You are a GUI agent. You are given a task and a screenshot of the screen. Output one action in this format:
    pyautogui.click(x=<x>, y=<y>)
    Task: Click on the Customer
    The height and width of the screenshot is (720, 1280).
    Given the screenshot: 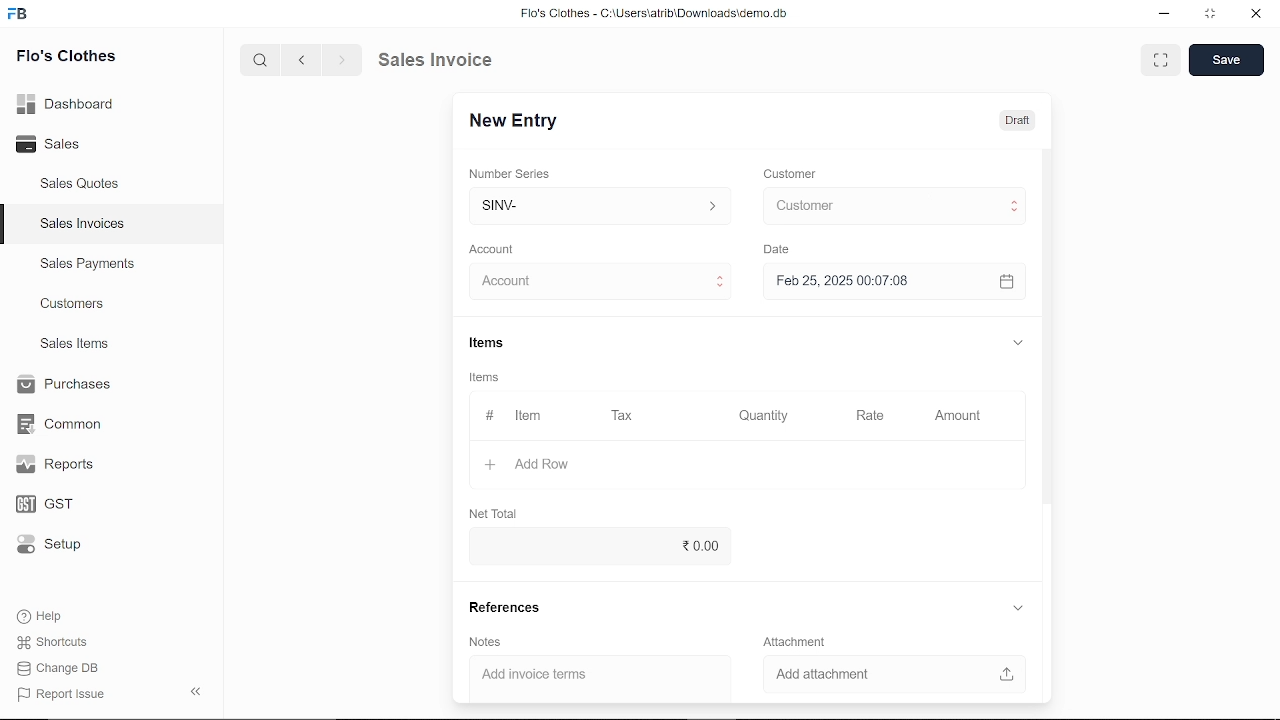 What is the action you would take?
    pyautogui.click(x=790, y=173)
    